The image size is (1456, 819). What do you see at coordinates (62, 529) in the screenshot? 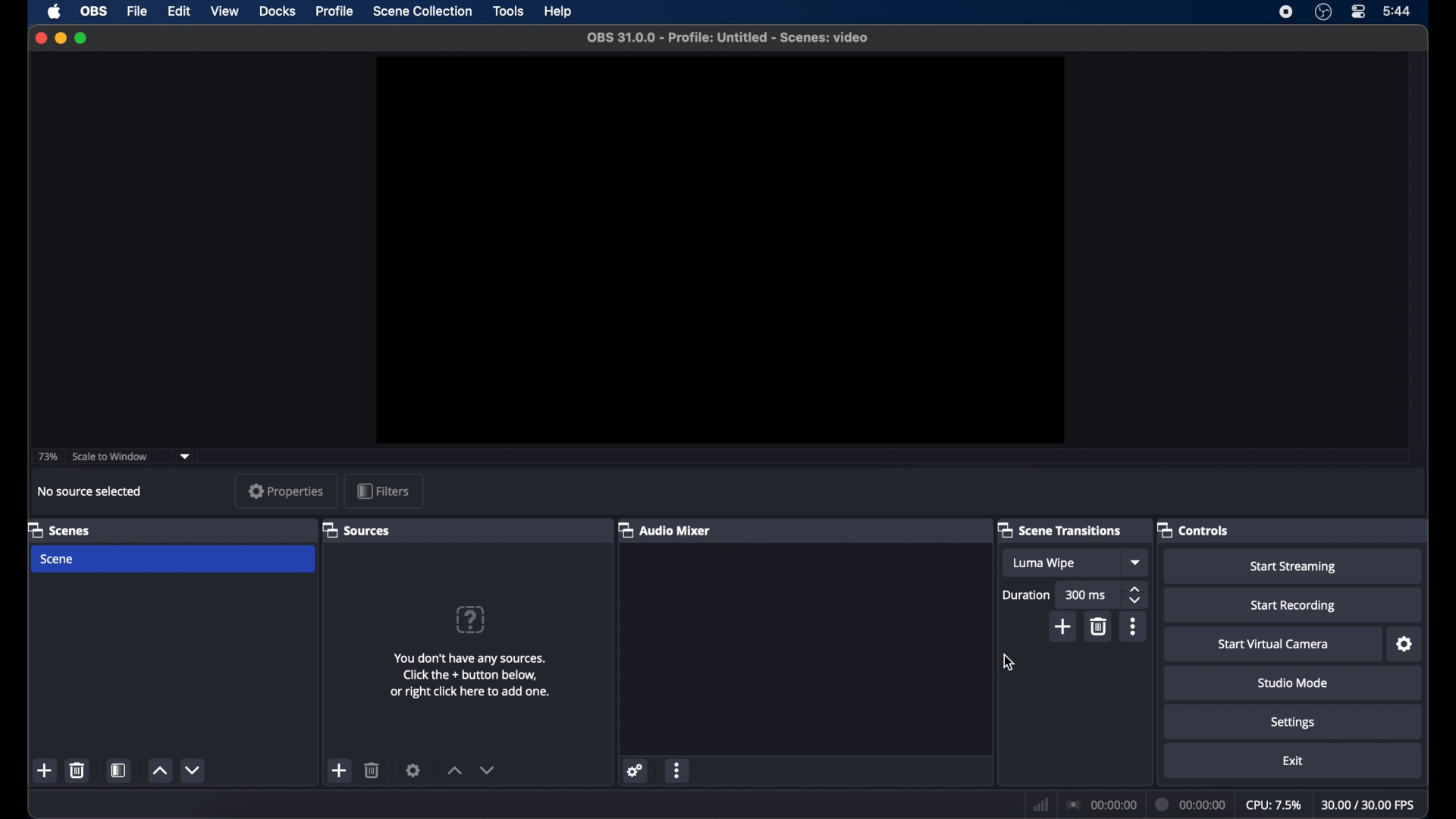
I see `scenes` at bounding box center [62, 529].